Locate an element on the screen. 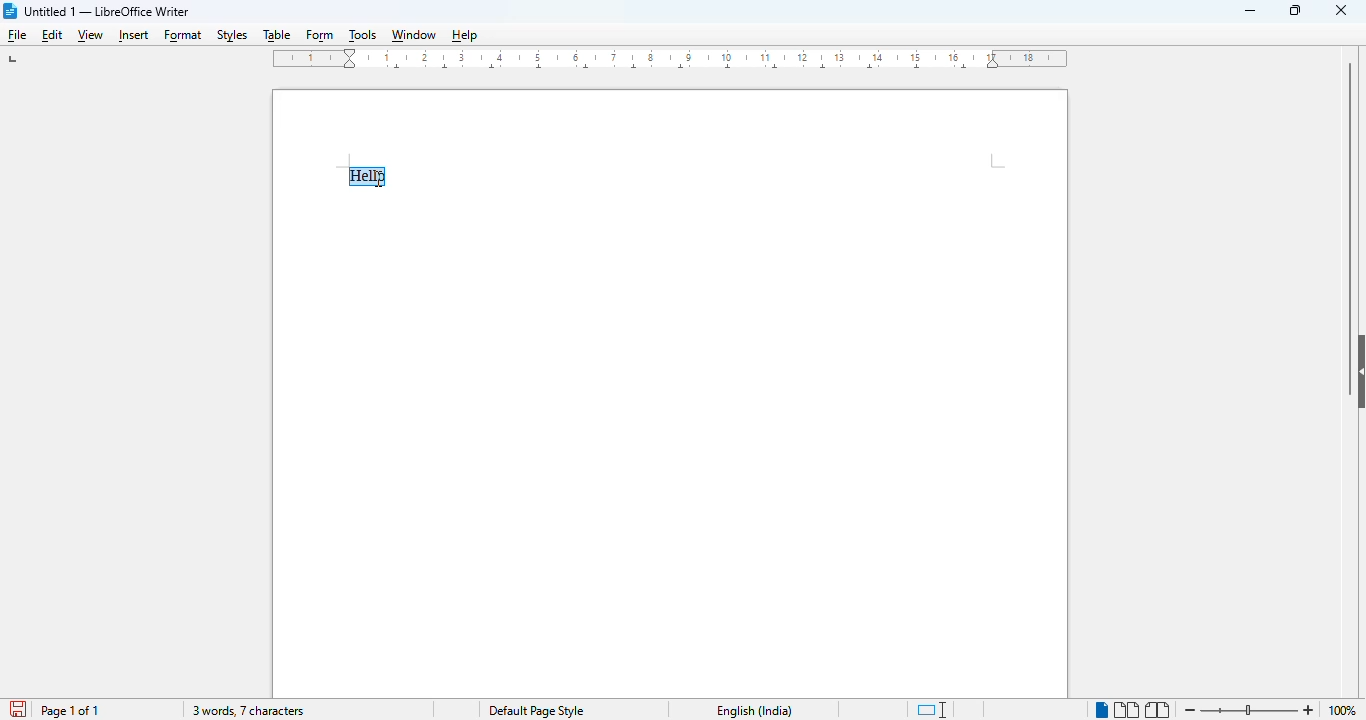 Image resolution: width=1366 pixels, height=720 pixels. standard selection is located at coordinates (932, 709).